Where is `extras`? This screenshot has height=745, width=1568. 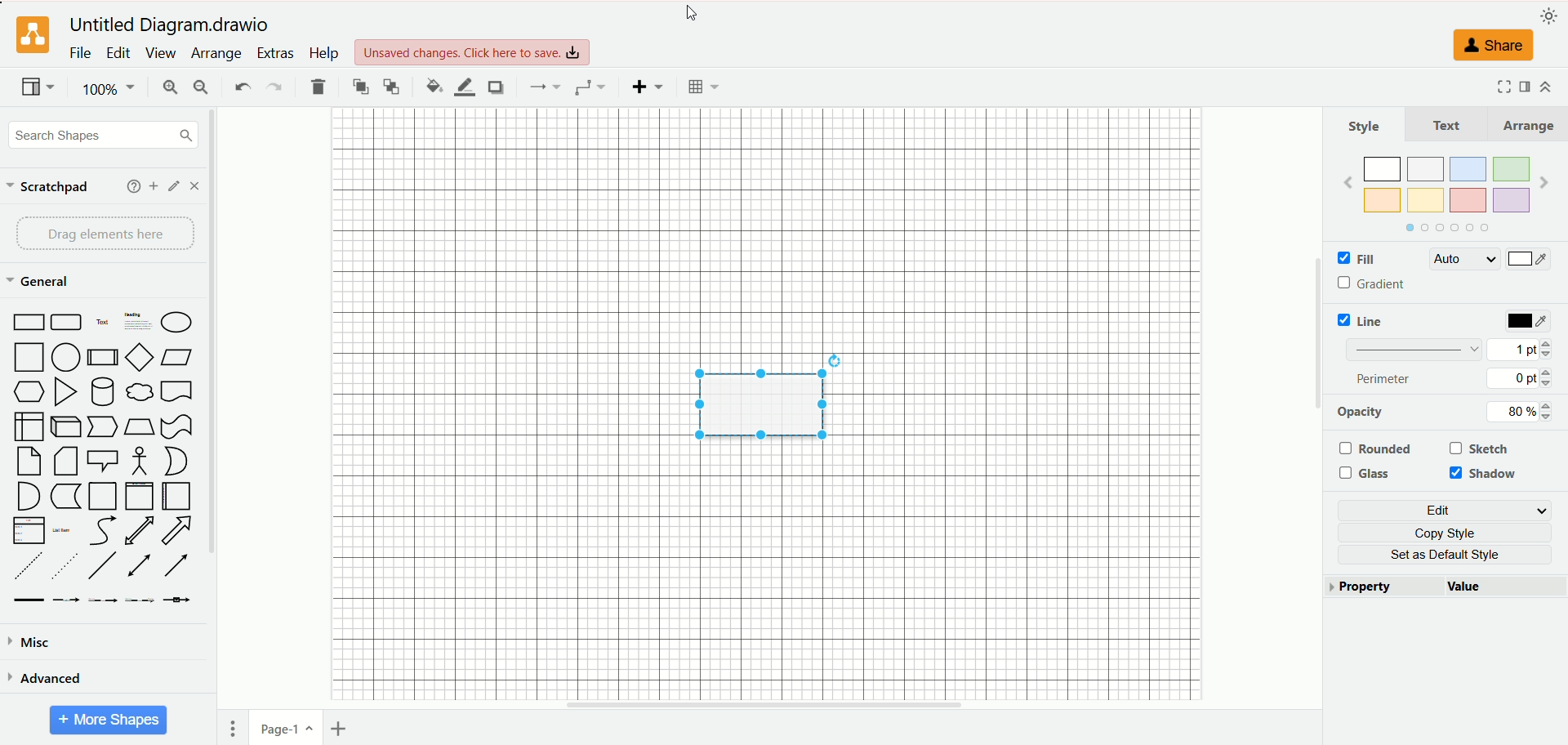
extras is located at coordinates (277, 53).